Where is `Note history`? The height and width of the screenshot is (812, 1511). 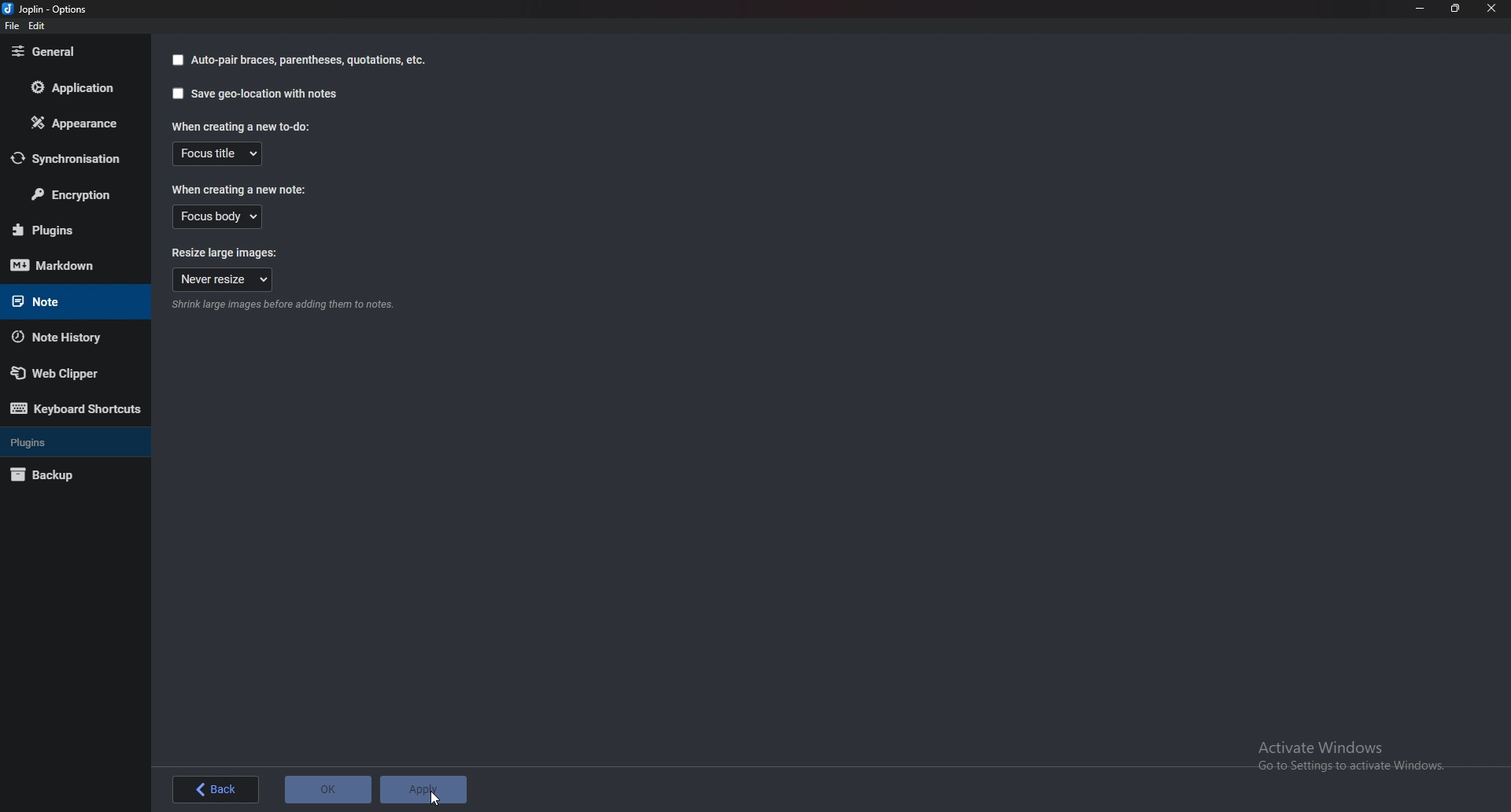
Note history is located at coordinates (63, 338).